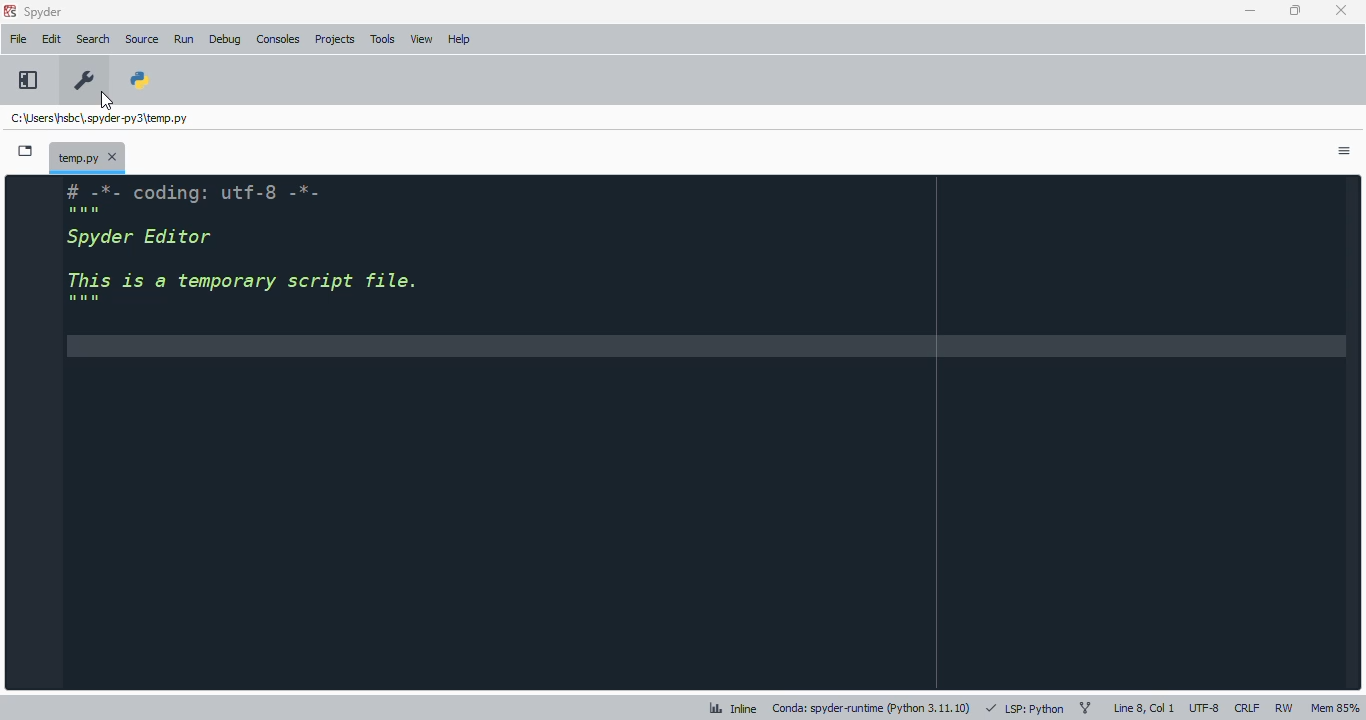 Image resolution: width=1366 pixels, height=720 pixels. I want to click on file, so click(19, 39).